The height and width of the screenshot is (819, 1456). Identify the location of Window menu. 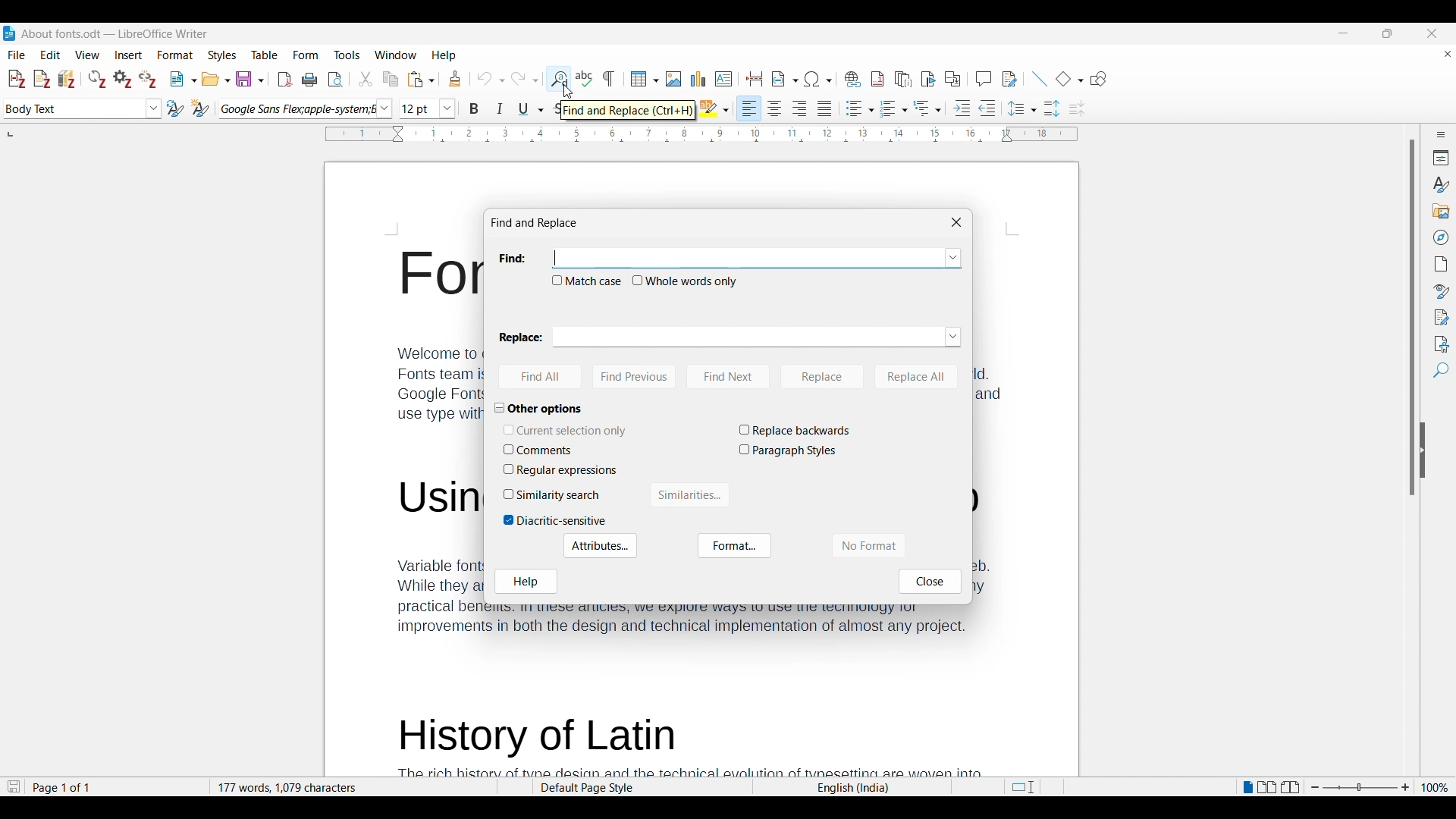
(396, 55).